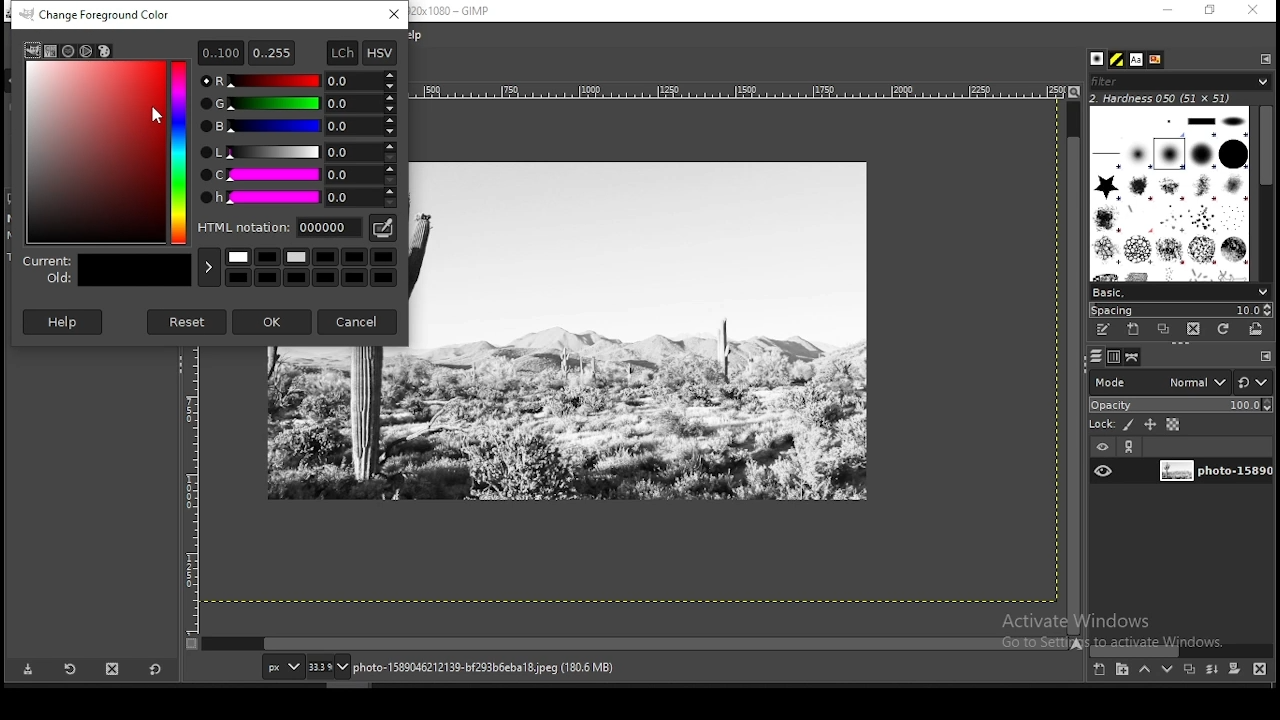 Image resolution: width=1280 pixels, height=720 pixels. What do you see at coordinates (1096, 357) in the screenshot?
I see `layers` at bounding box center [1096, 357].